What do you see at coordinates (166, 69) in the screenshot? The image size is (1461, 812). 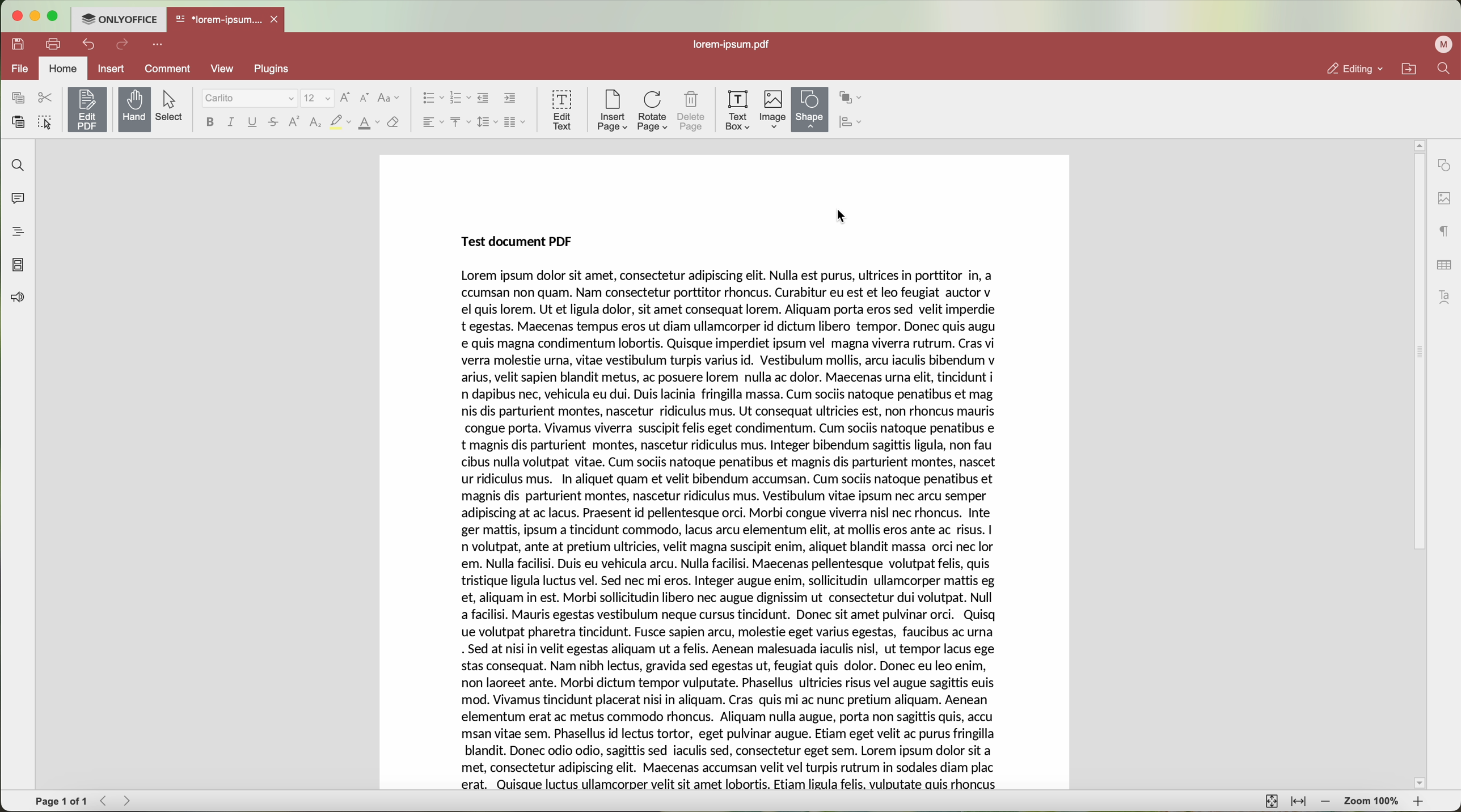 I see `comment` at bounding box center [166, 69].